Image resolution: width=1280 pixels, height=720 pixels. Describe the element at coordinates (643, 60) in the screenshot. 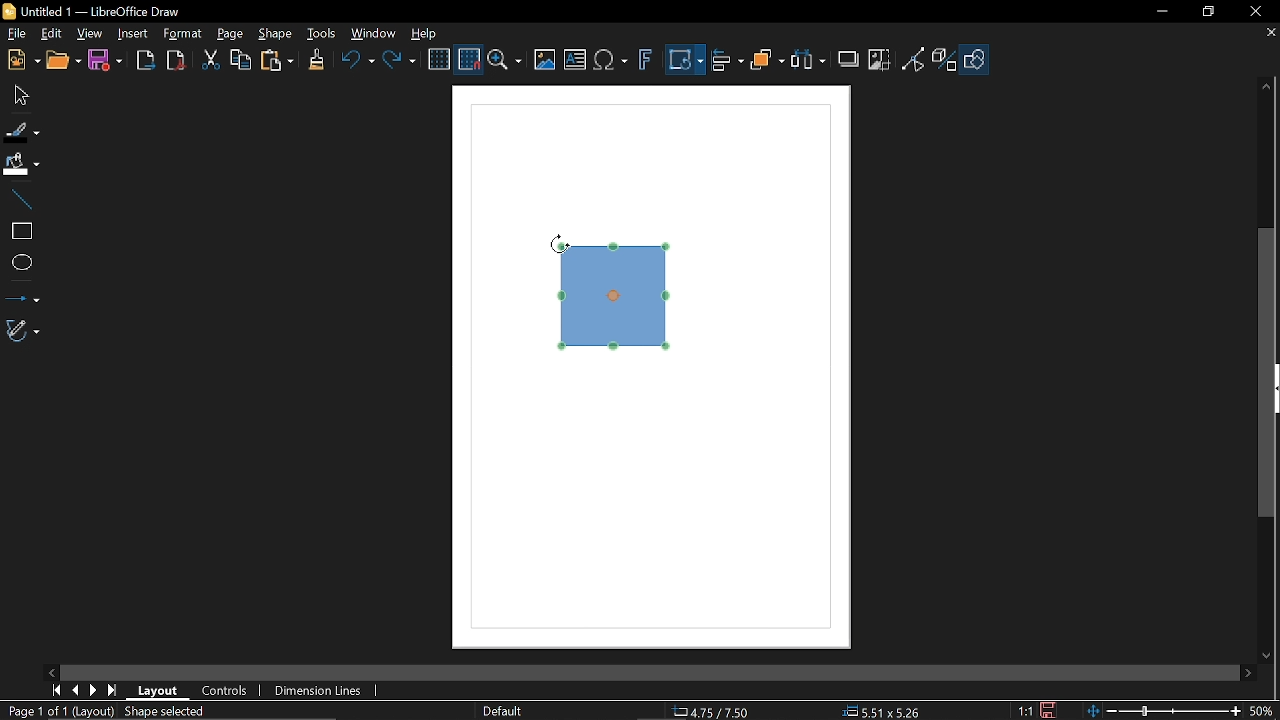

I see `insert fontwork` at that location.